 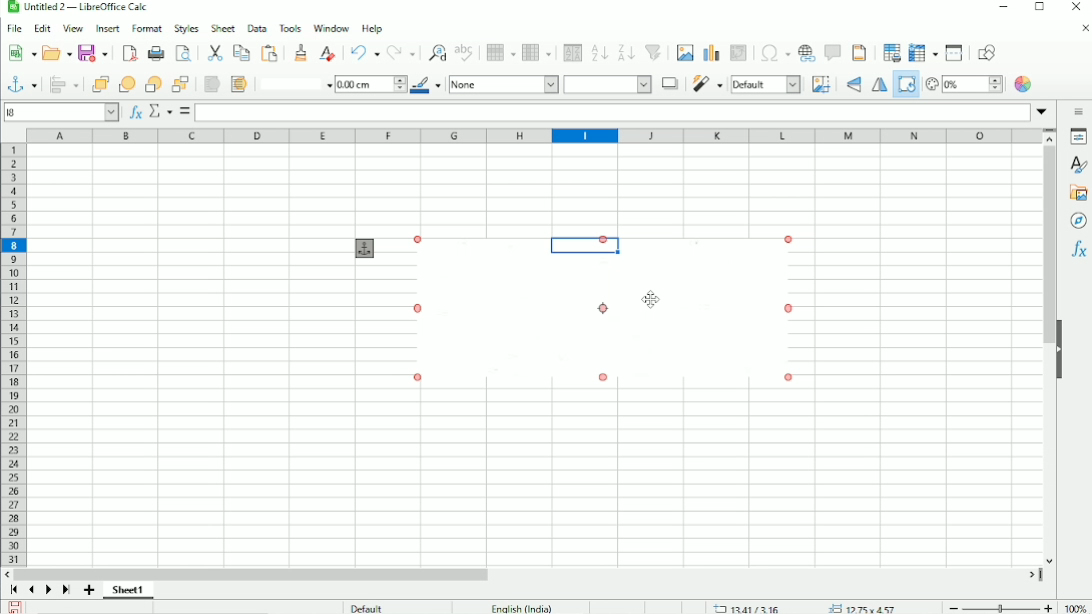 I want to click on Gallery, so click(x=1077, y=193).